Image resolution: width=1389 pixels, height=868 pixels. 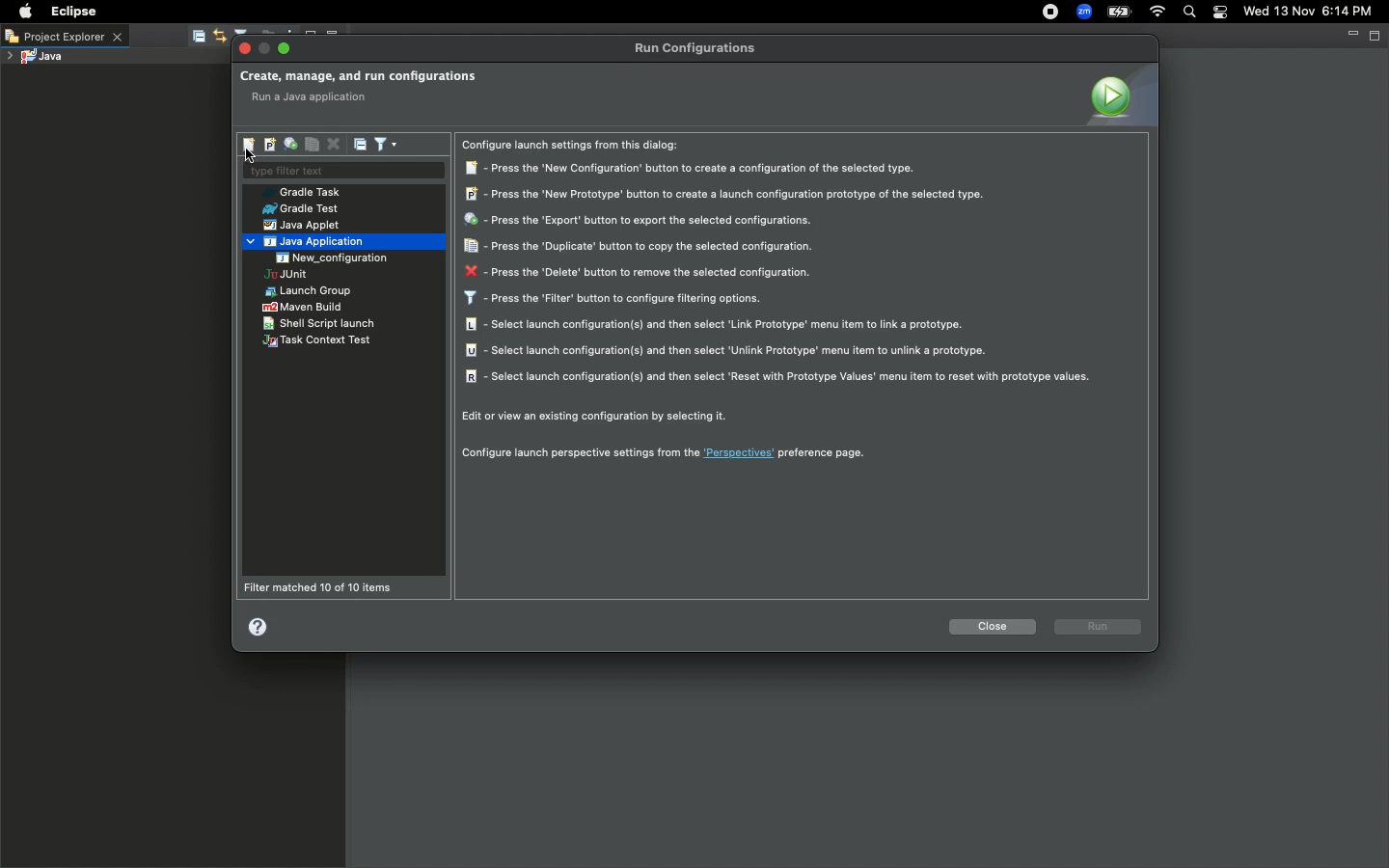 I want to click on Search, so click(x=1188, y=14).